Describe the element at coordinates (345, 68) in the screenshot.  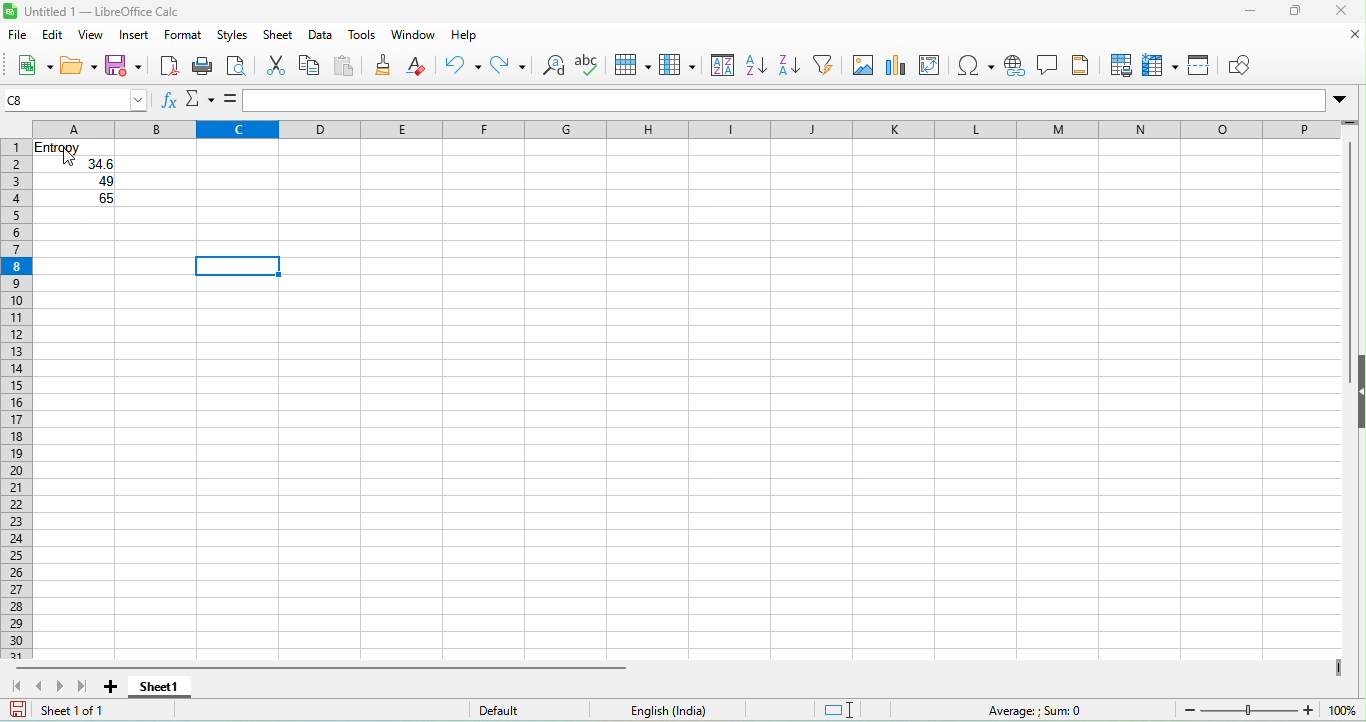
I see `paste` at that location.